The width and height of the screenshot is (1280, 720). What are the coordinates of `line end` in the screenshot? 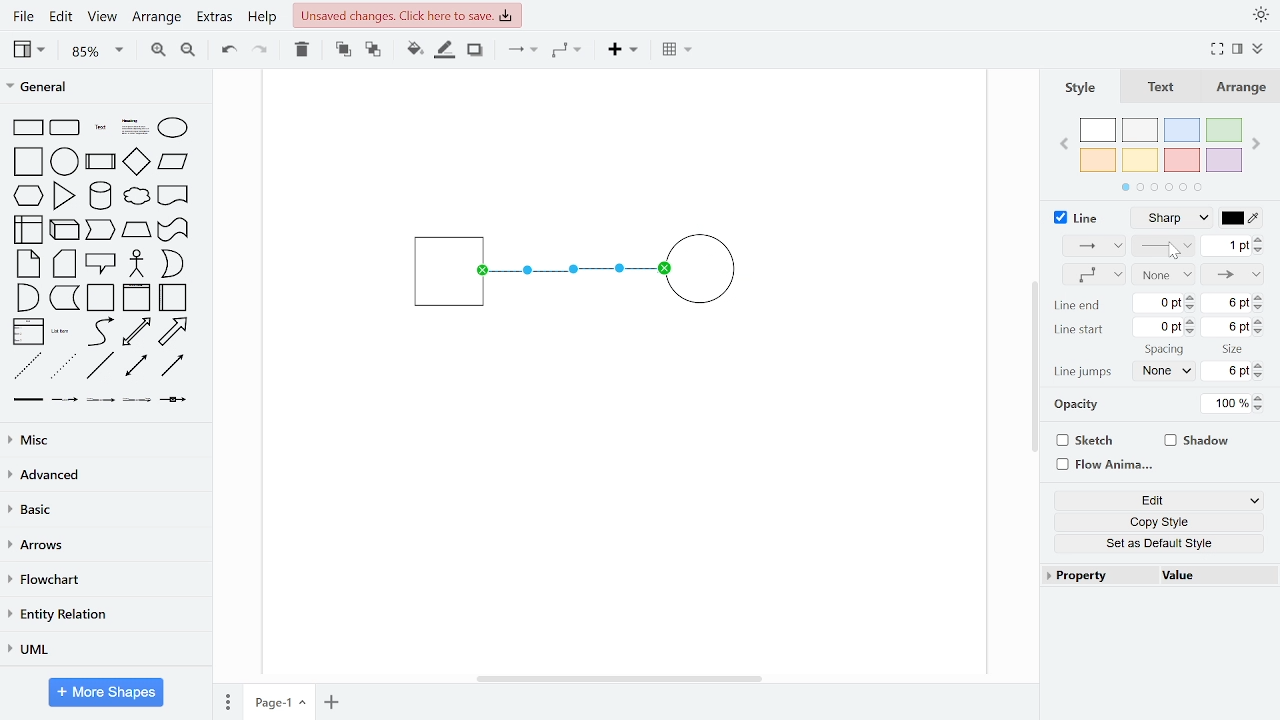 It's located at (1234, 273).